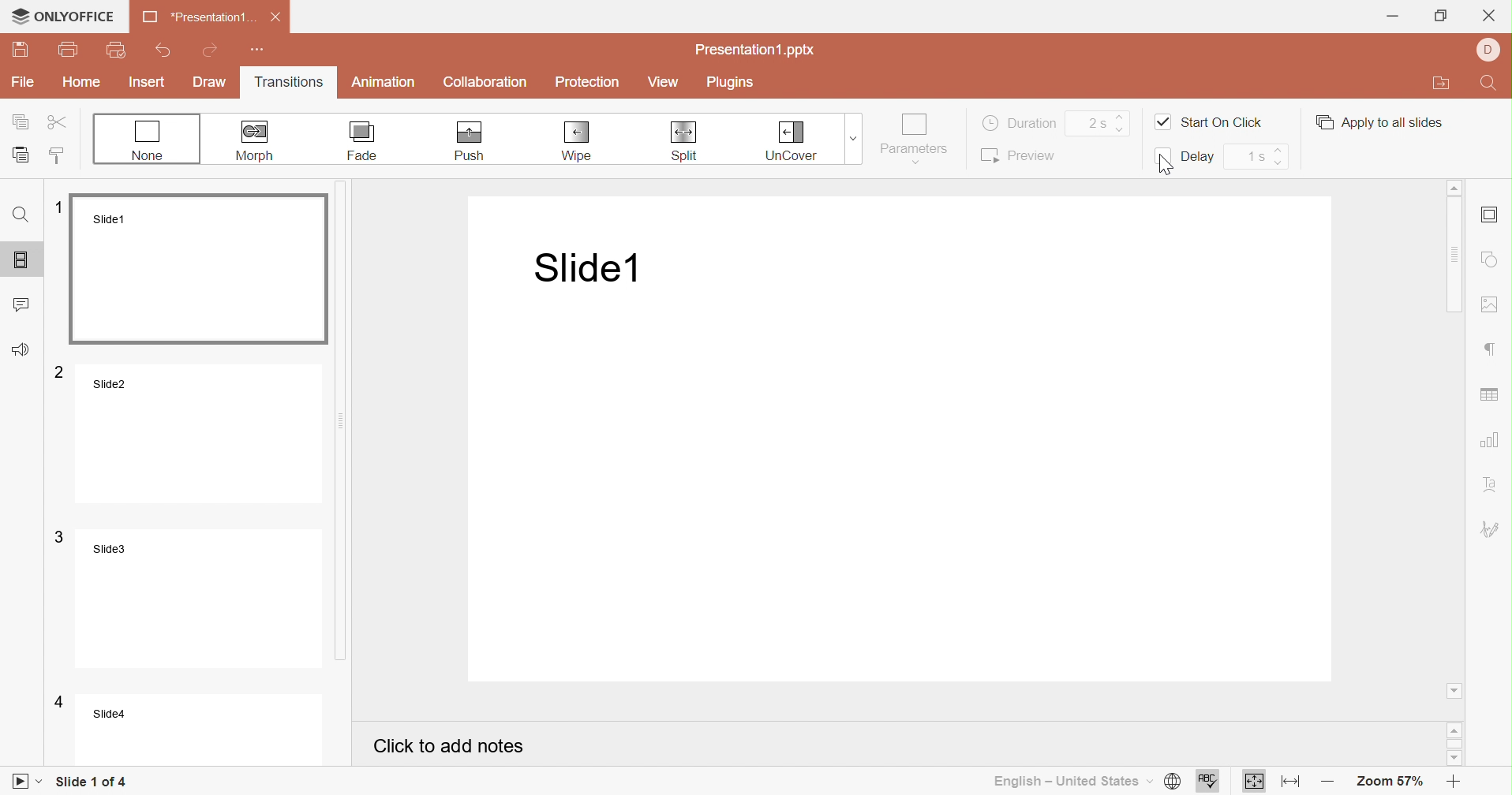 The width and height of the screenshot is (1512, 795). Describe the element at coordinates (199, 17) in the screenshot. I see `*Presentation1 ...` at that location.